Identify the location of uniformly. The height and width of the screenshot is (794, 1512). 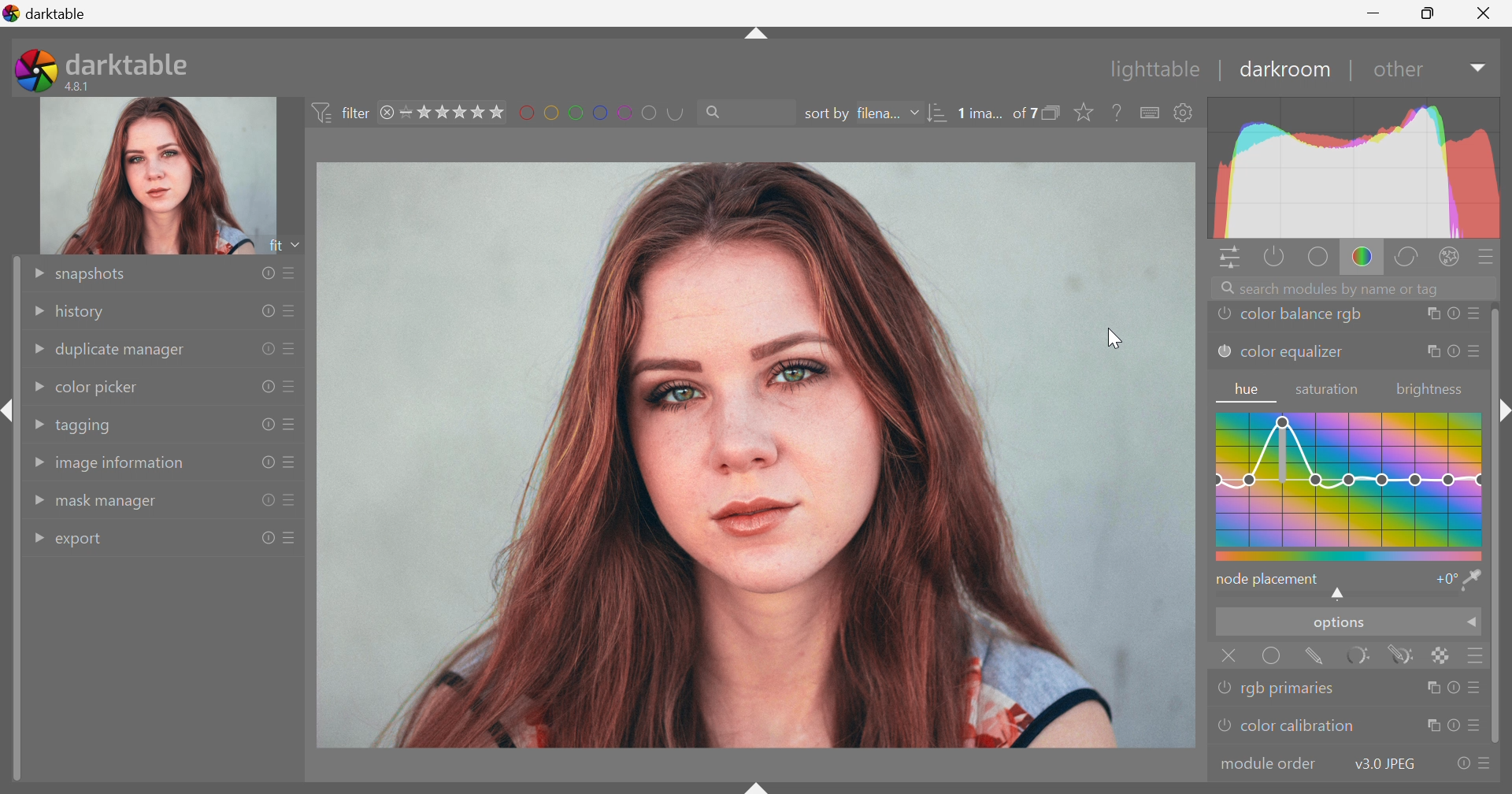
(1273, 658).